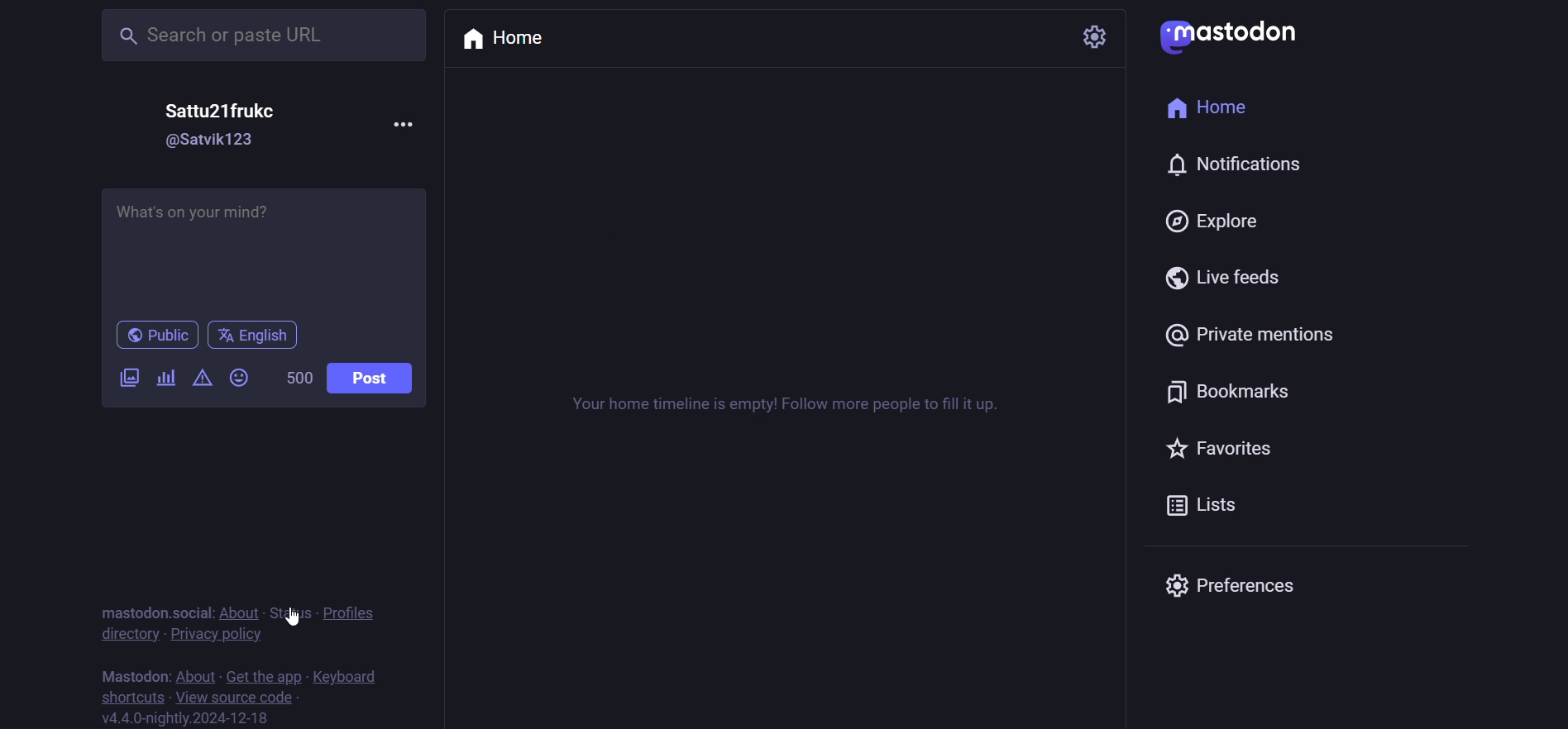 The width and height of the screenshot is (1568, 729). I want to click on live feed, so click(1224, 277).